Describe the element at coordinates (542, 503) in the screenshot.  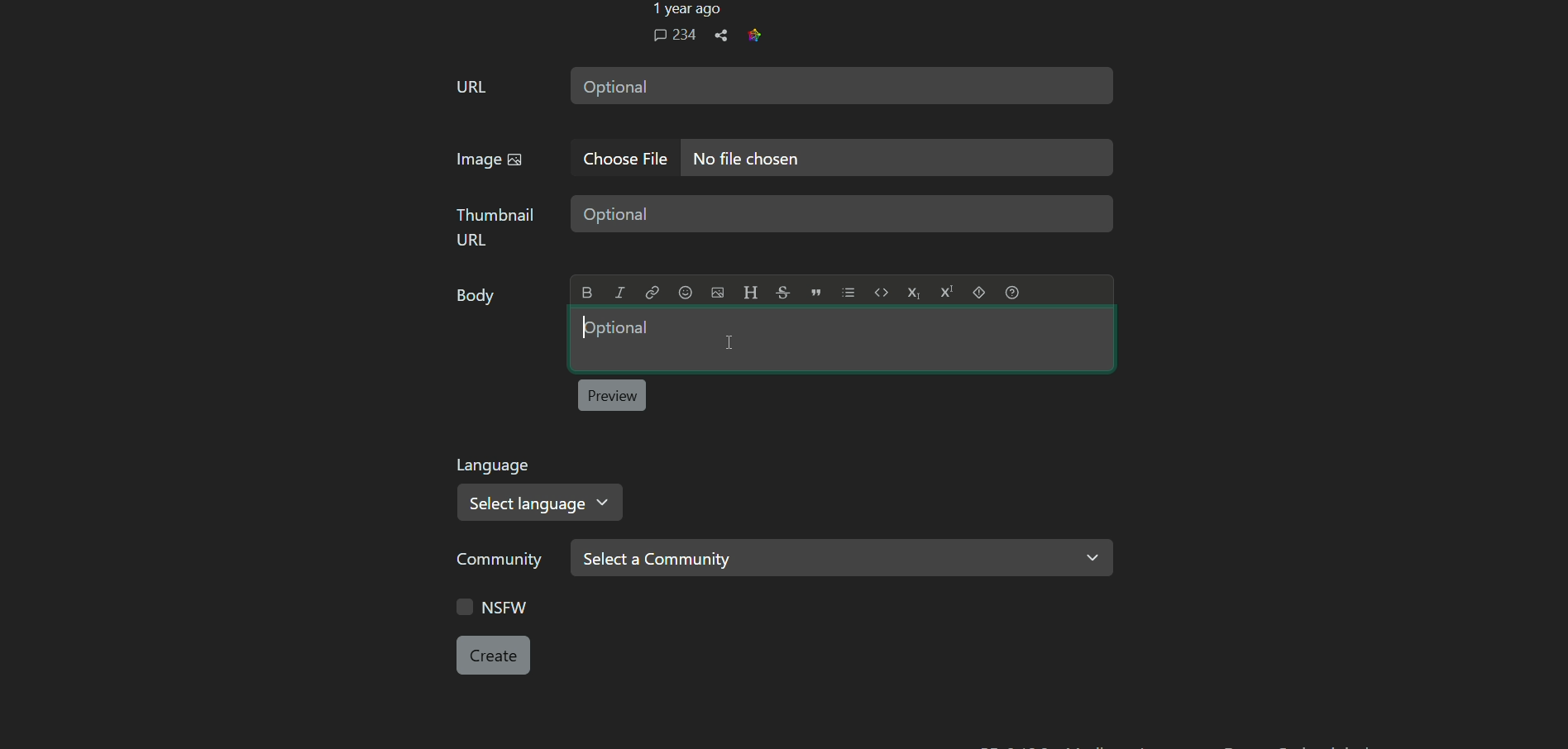
I see `Select language` at that location.